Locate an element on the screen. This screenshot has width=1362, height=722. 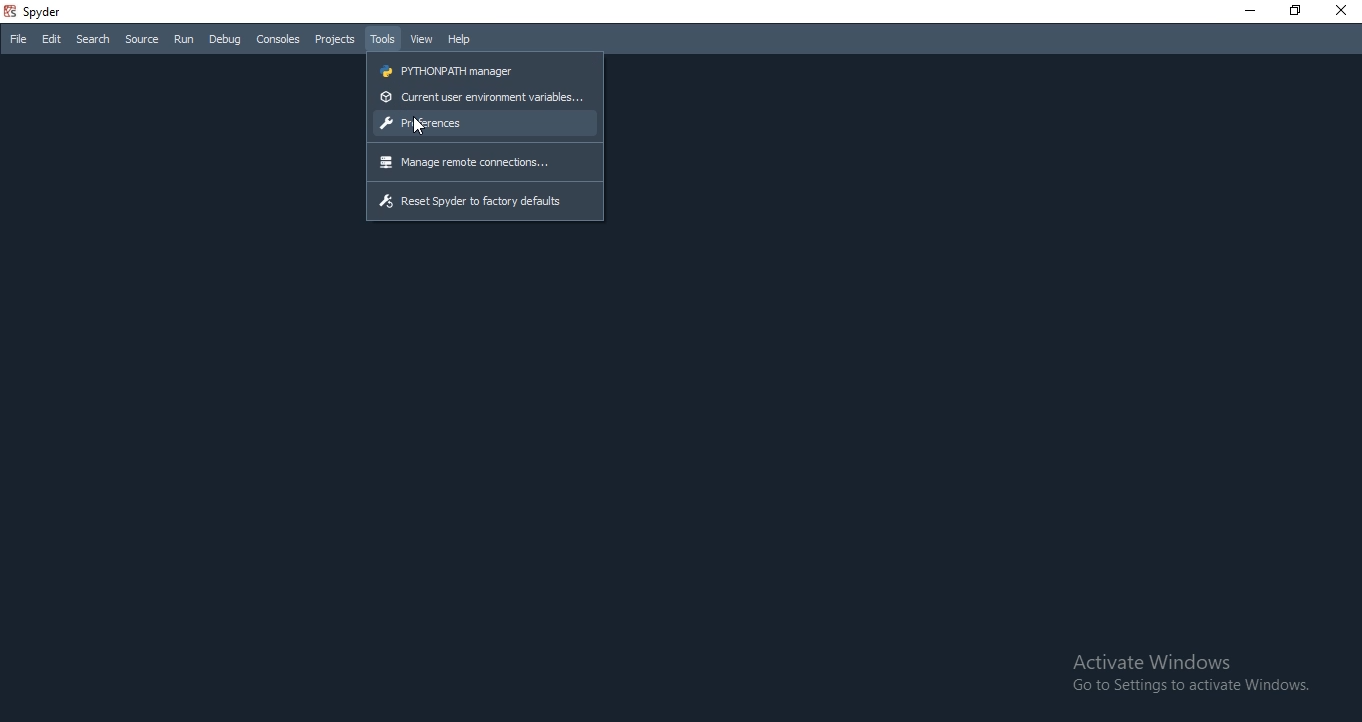
Debug is located at coordinates (225, 40).